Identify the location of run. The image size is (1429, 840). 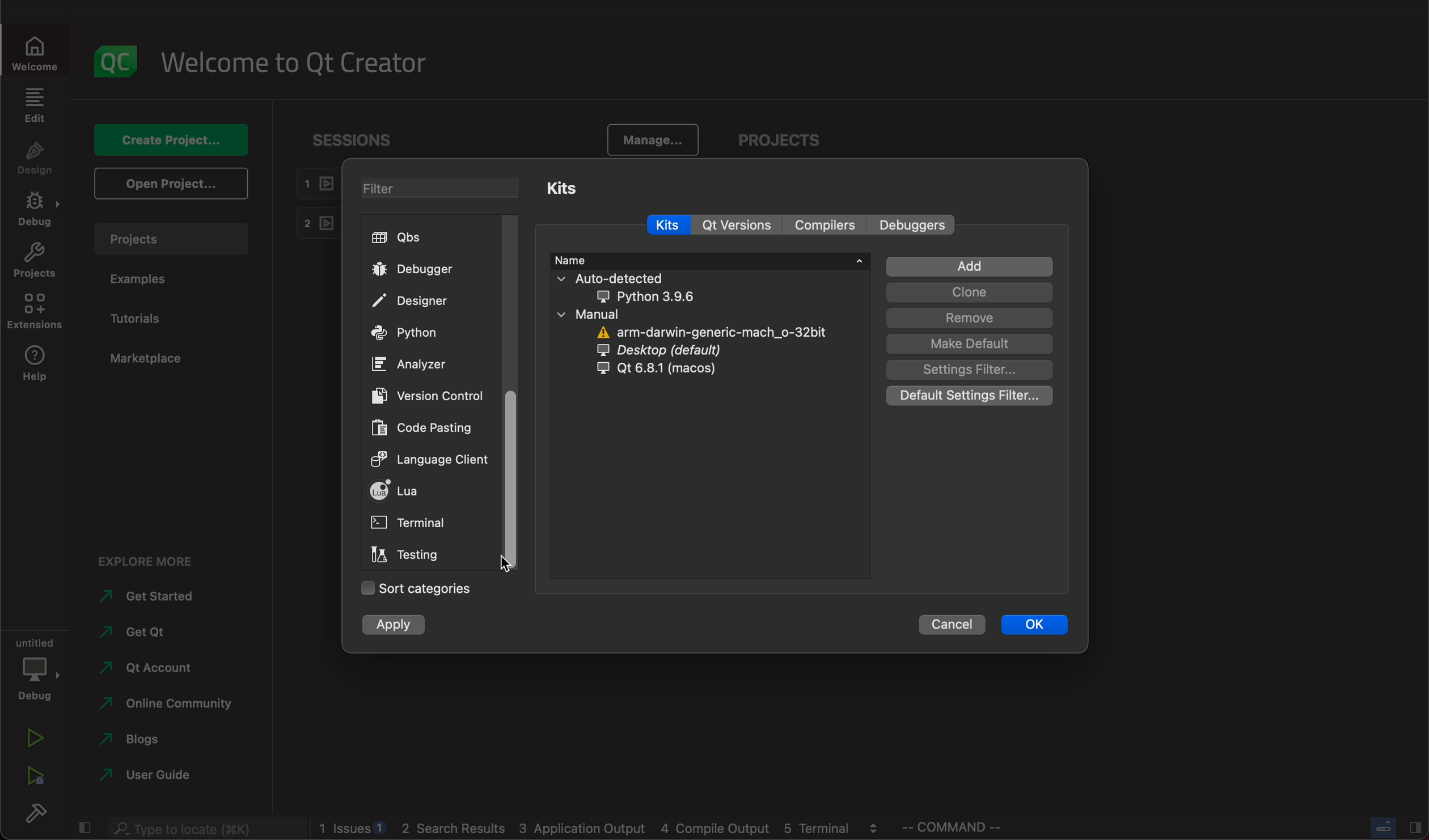
(36, 737).